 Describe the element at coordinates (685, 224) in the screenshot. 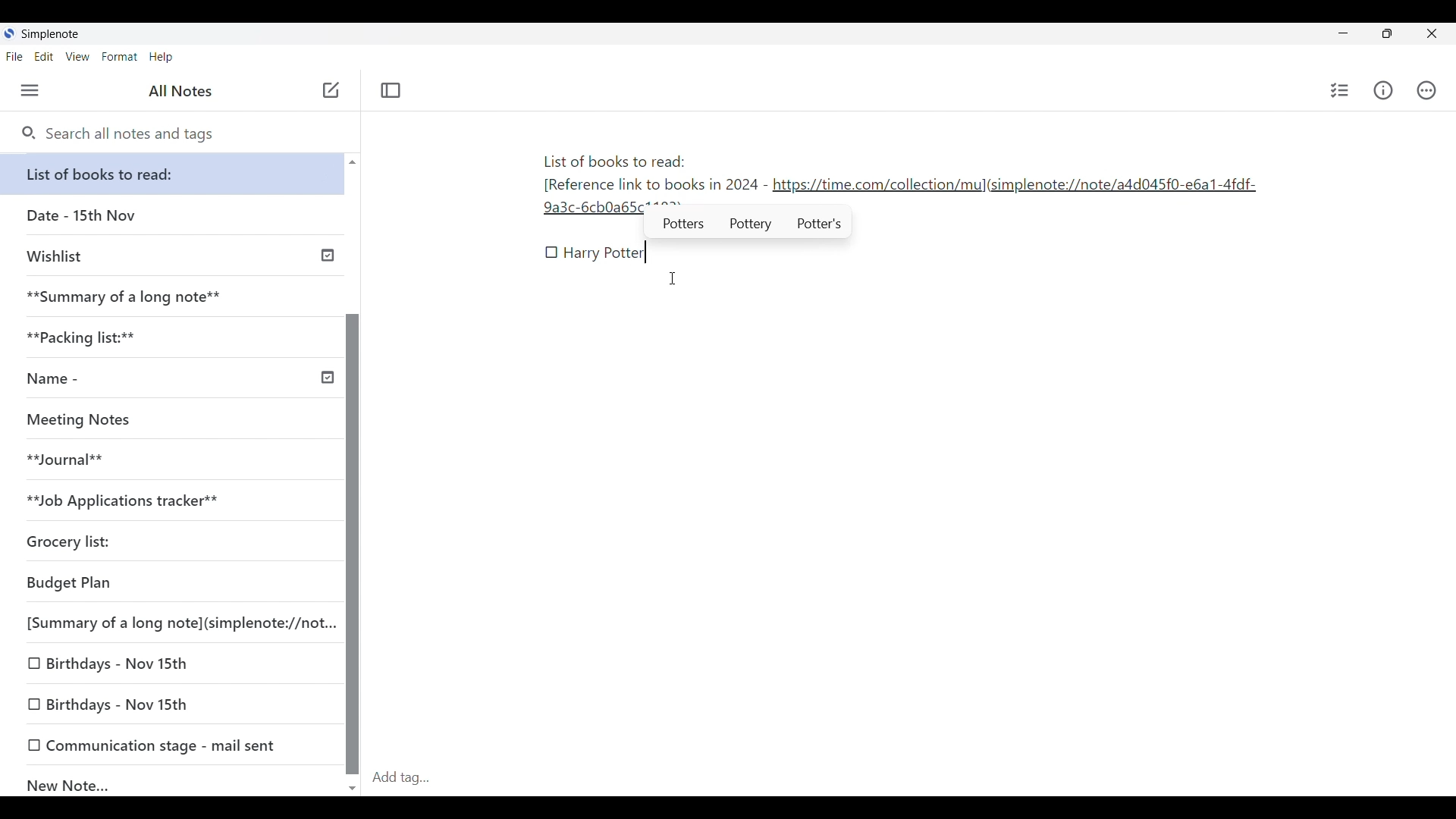

I see `Potters` at that location.